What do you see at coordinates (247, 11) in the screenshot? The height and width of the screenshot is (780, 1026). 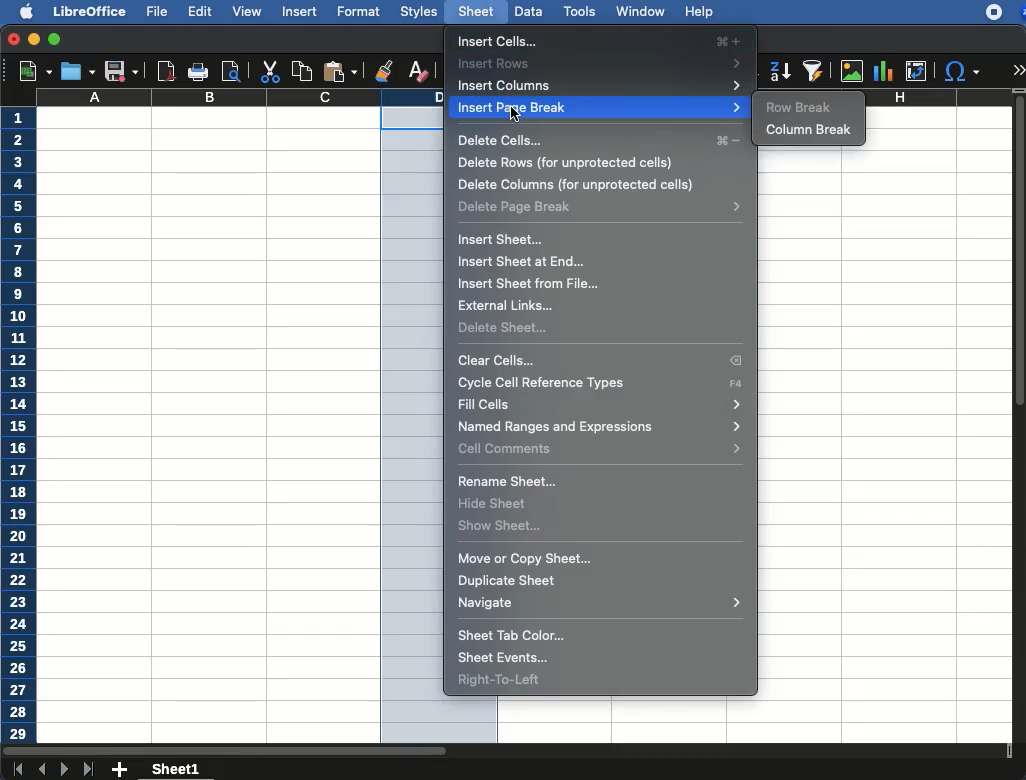 I see `view` at bounding box center [247, 11].